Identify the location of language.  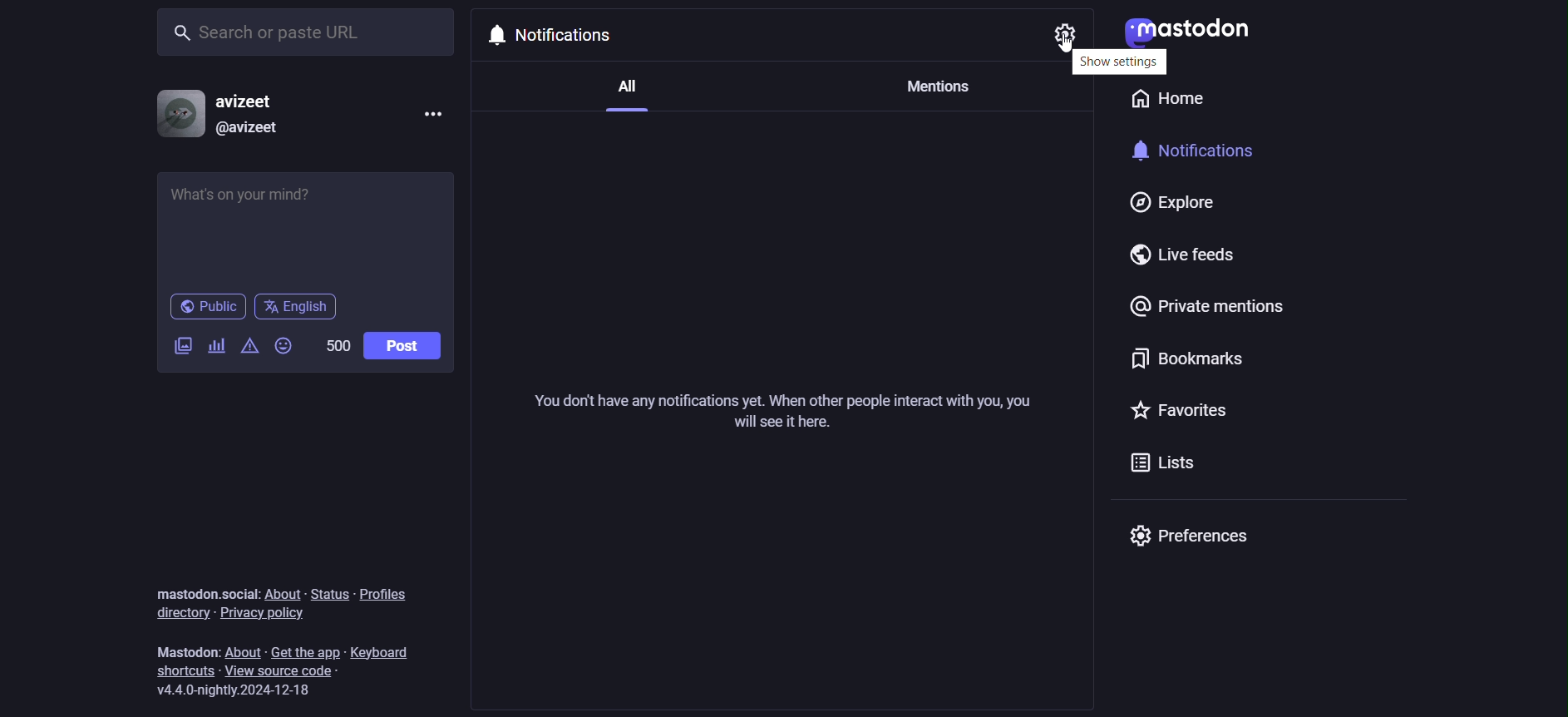
(298, 309).